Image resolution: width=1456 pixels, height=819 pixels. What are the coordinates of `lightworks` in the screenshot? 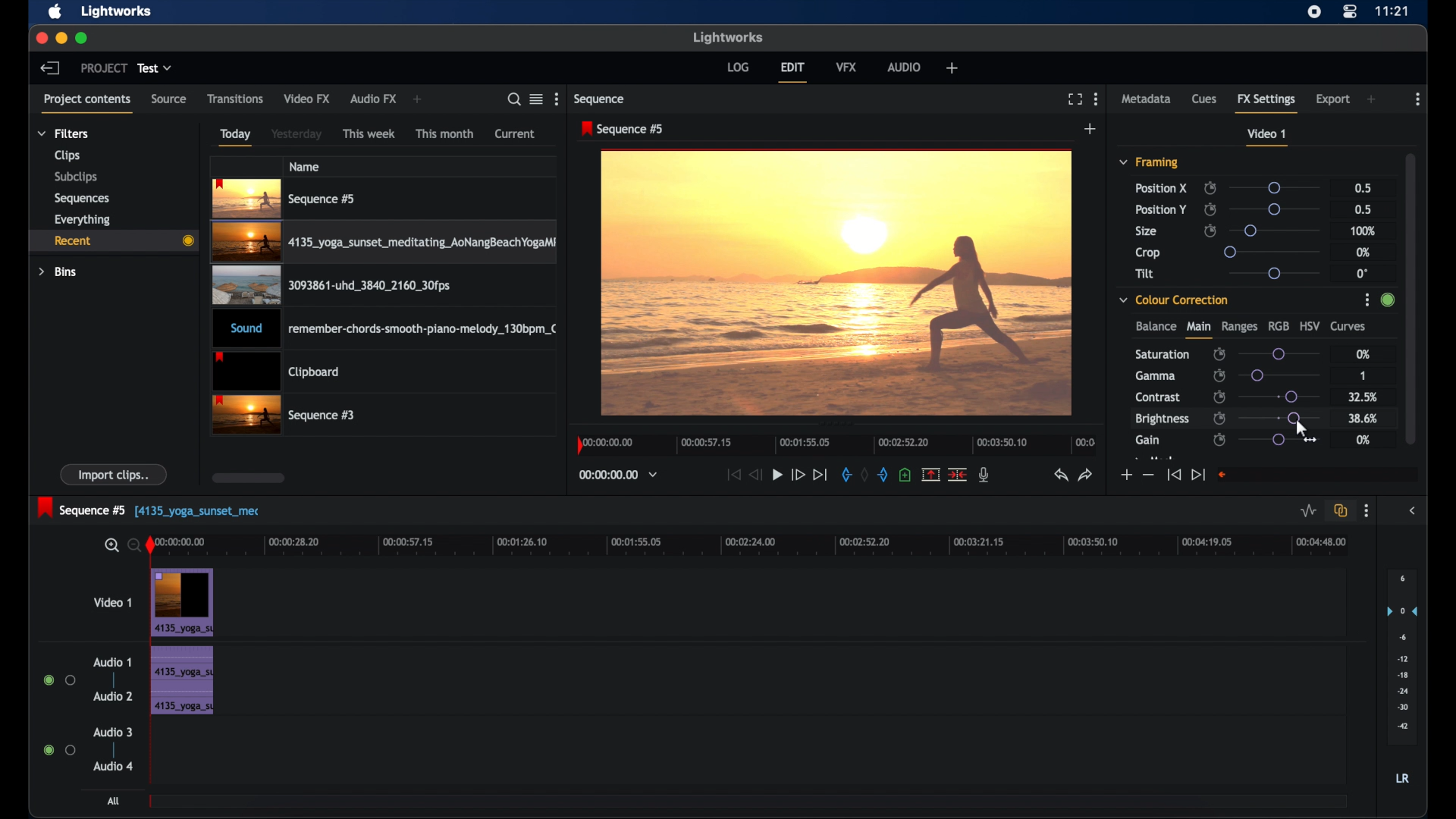 It's located at (117, 11).